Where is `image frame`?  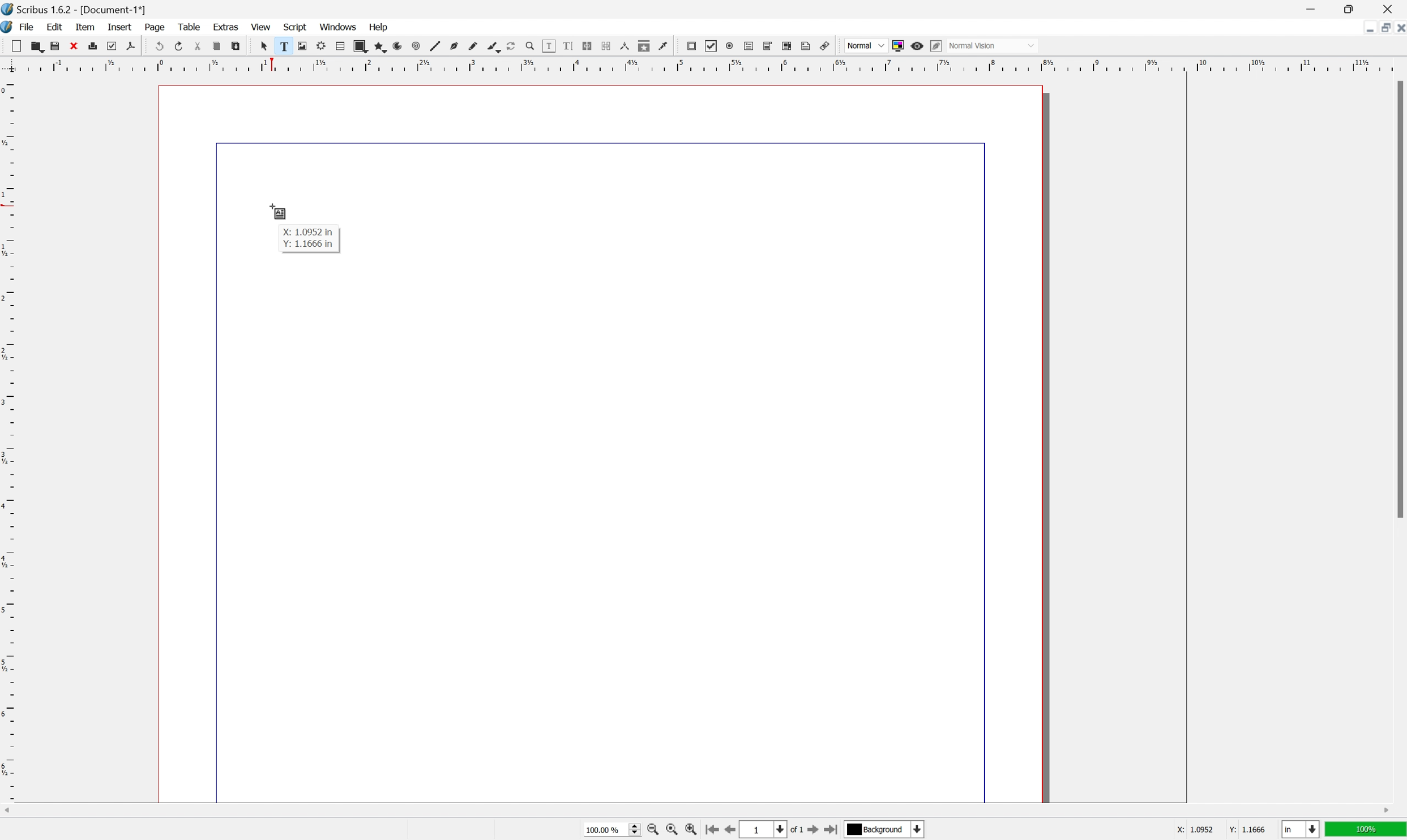
image frame is located at coordinates (301, 46).